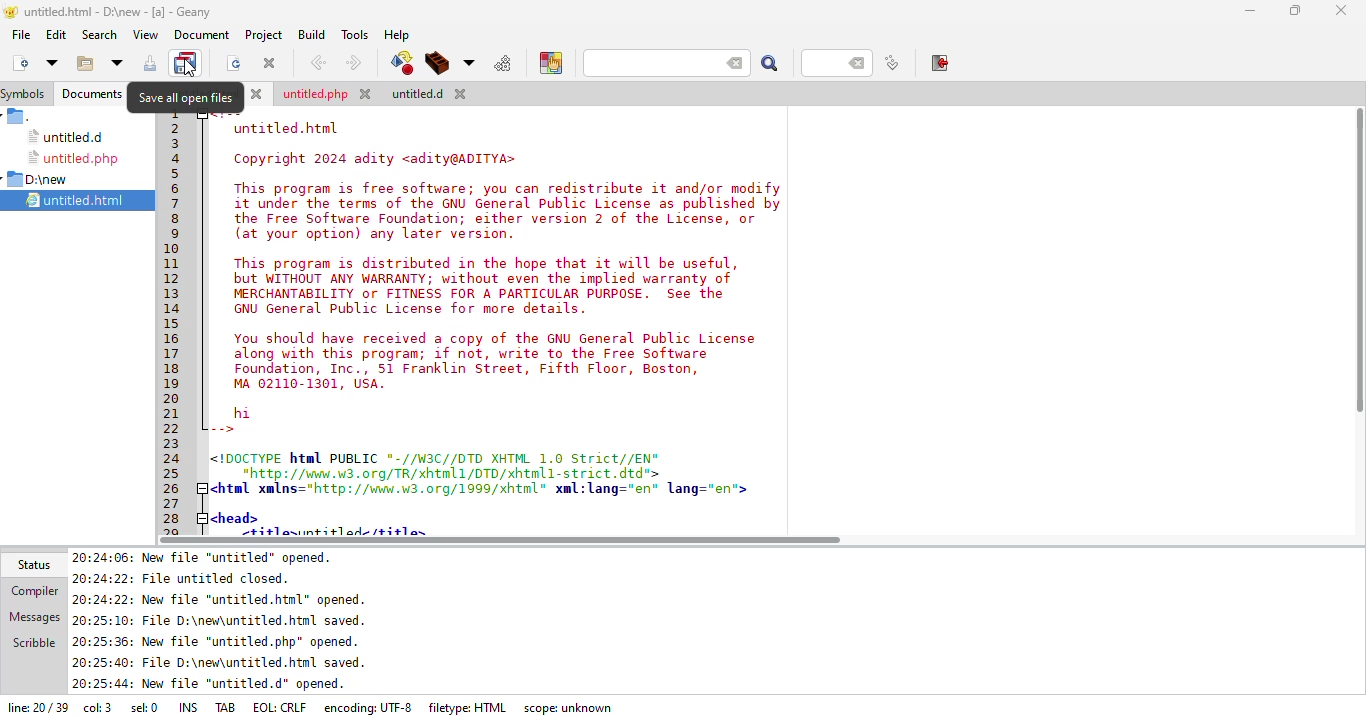 Image resolution: width=1366 pixels, height=718 pixels. I want to click on geany, so click(112, 11).